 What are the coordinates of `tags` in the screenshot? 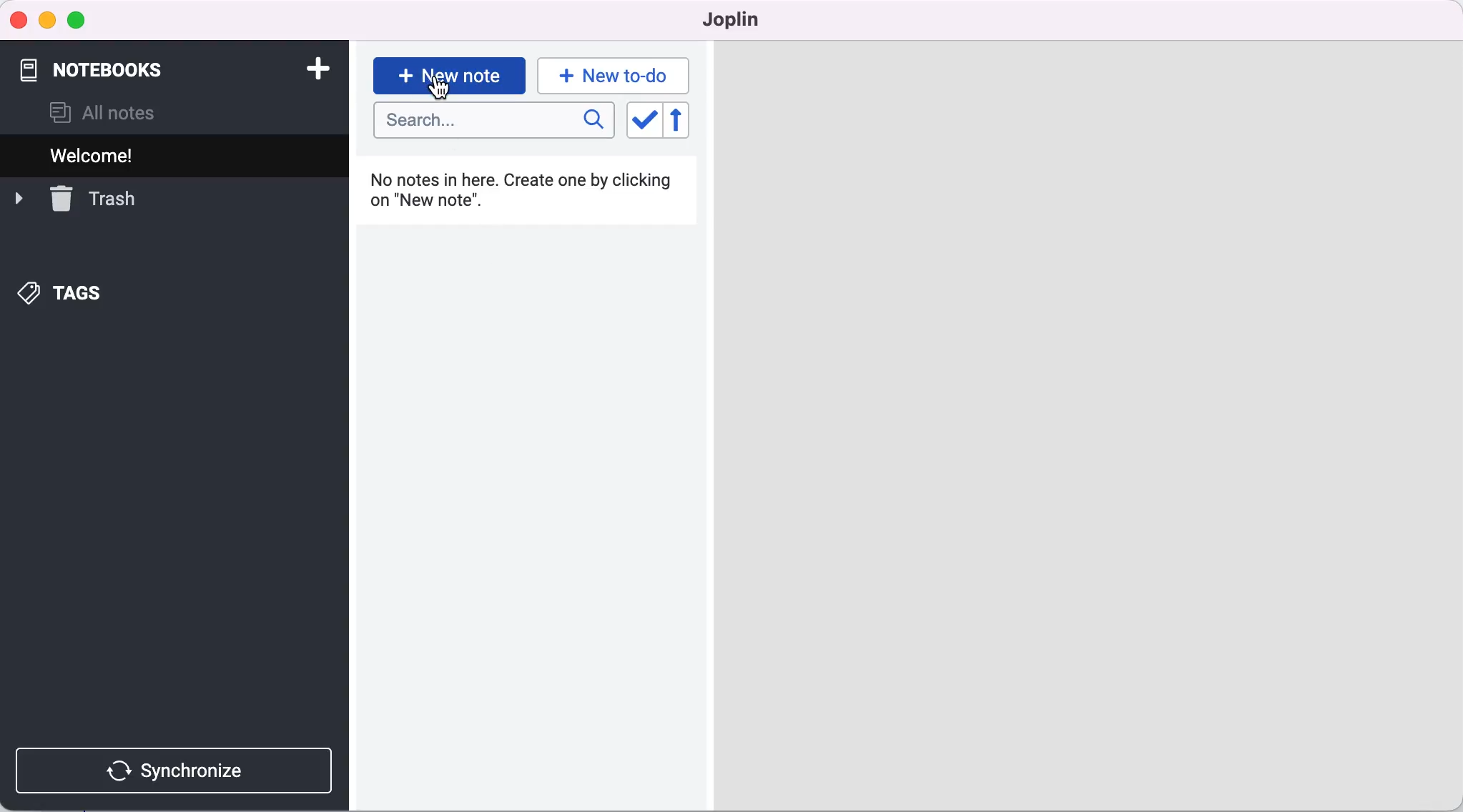 It's located at (75, 291).